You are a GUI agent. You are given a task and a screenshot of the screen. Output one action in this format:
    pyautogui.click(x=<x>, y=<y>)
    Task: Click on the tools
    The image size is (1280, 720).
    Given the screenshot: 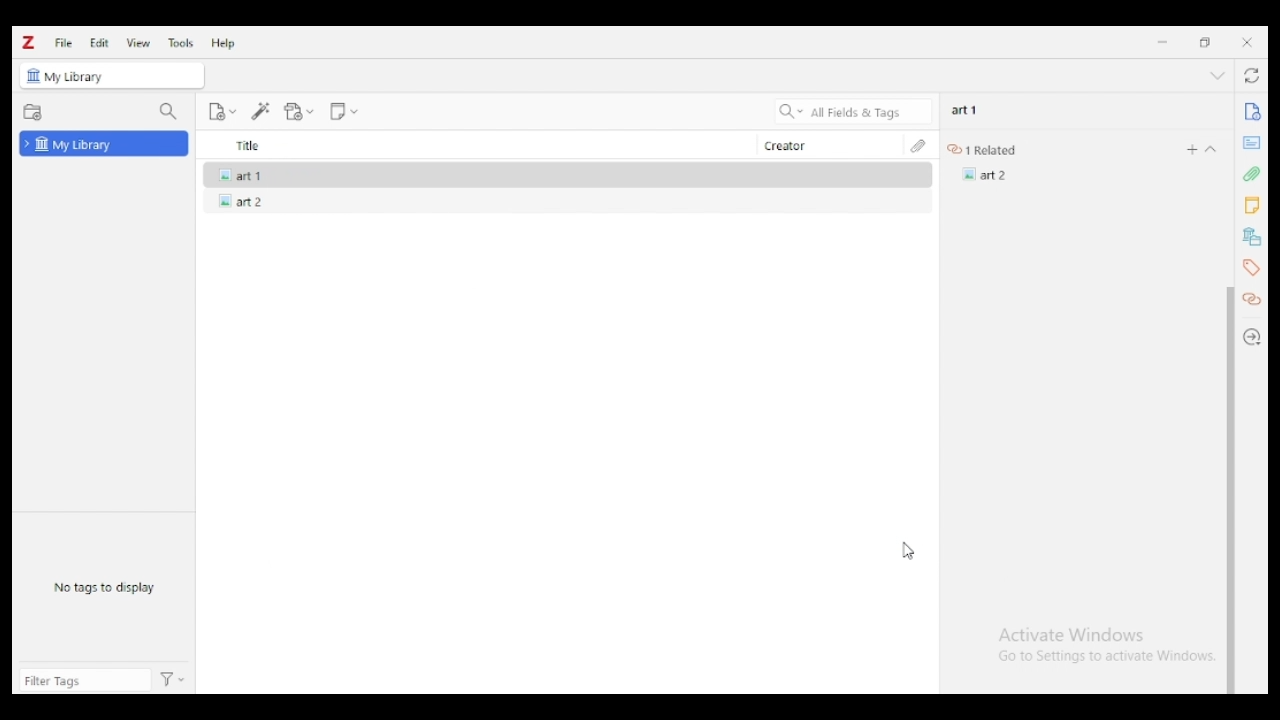 What is the action you would take?
    pyautogui.click(x=182, y=43)
    